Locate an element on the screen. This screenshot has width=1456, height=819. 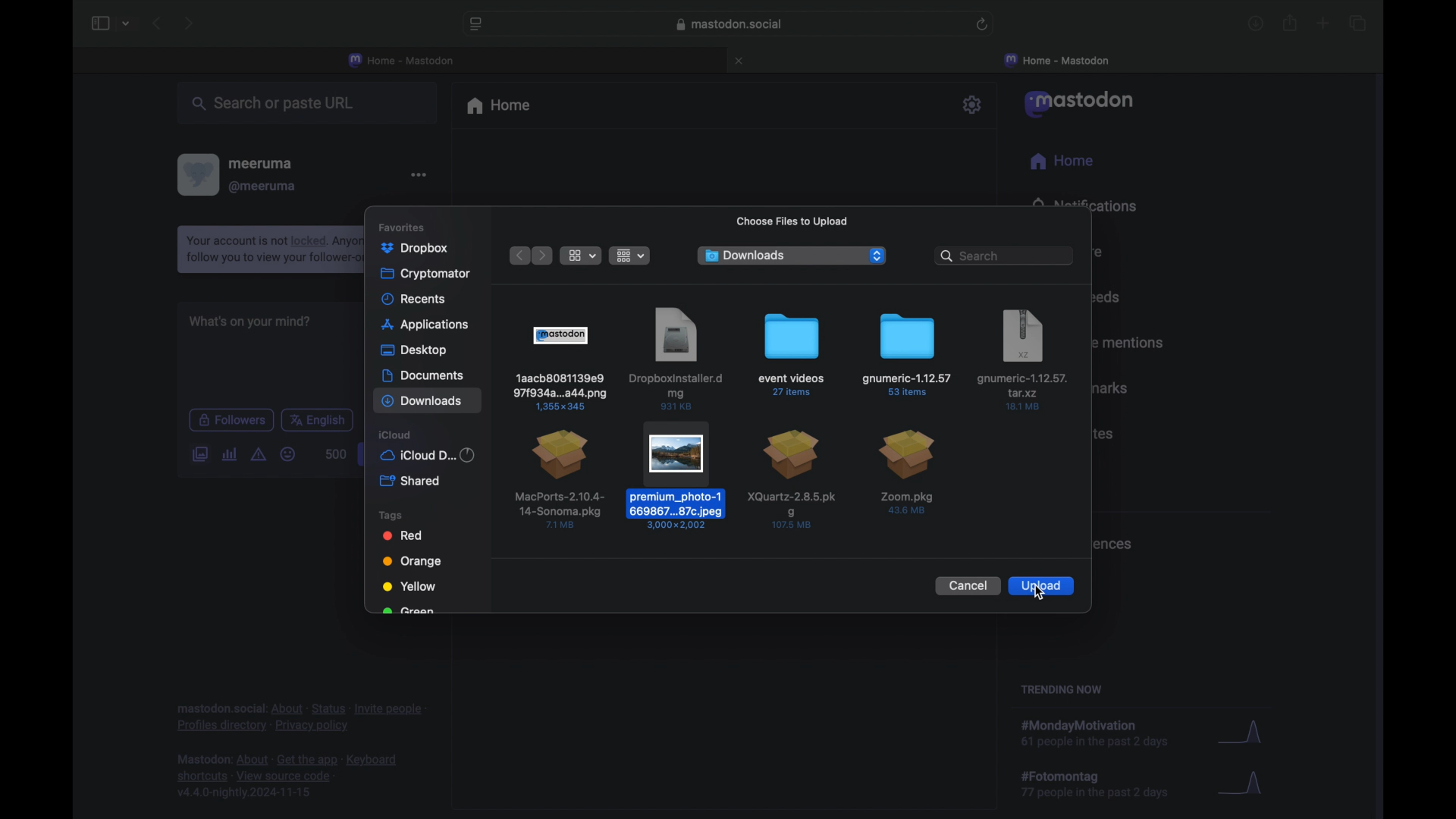
home mastodon is located at coordinates (1057, 60).